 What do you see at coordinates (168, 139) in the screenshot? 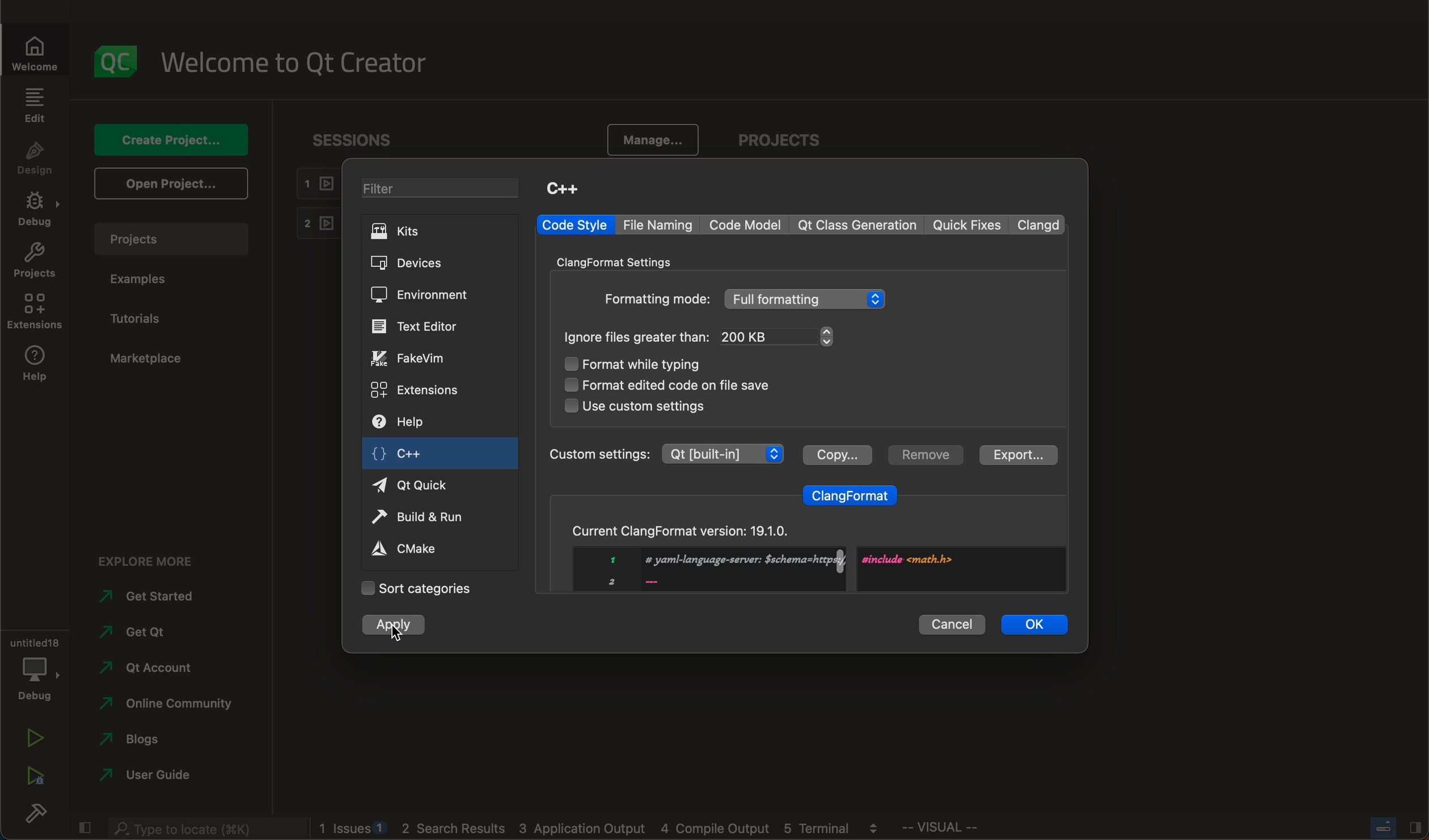
I see `create` at bounding box center [168, 139].